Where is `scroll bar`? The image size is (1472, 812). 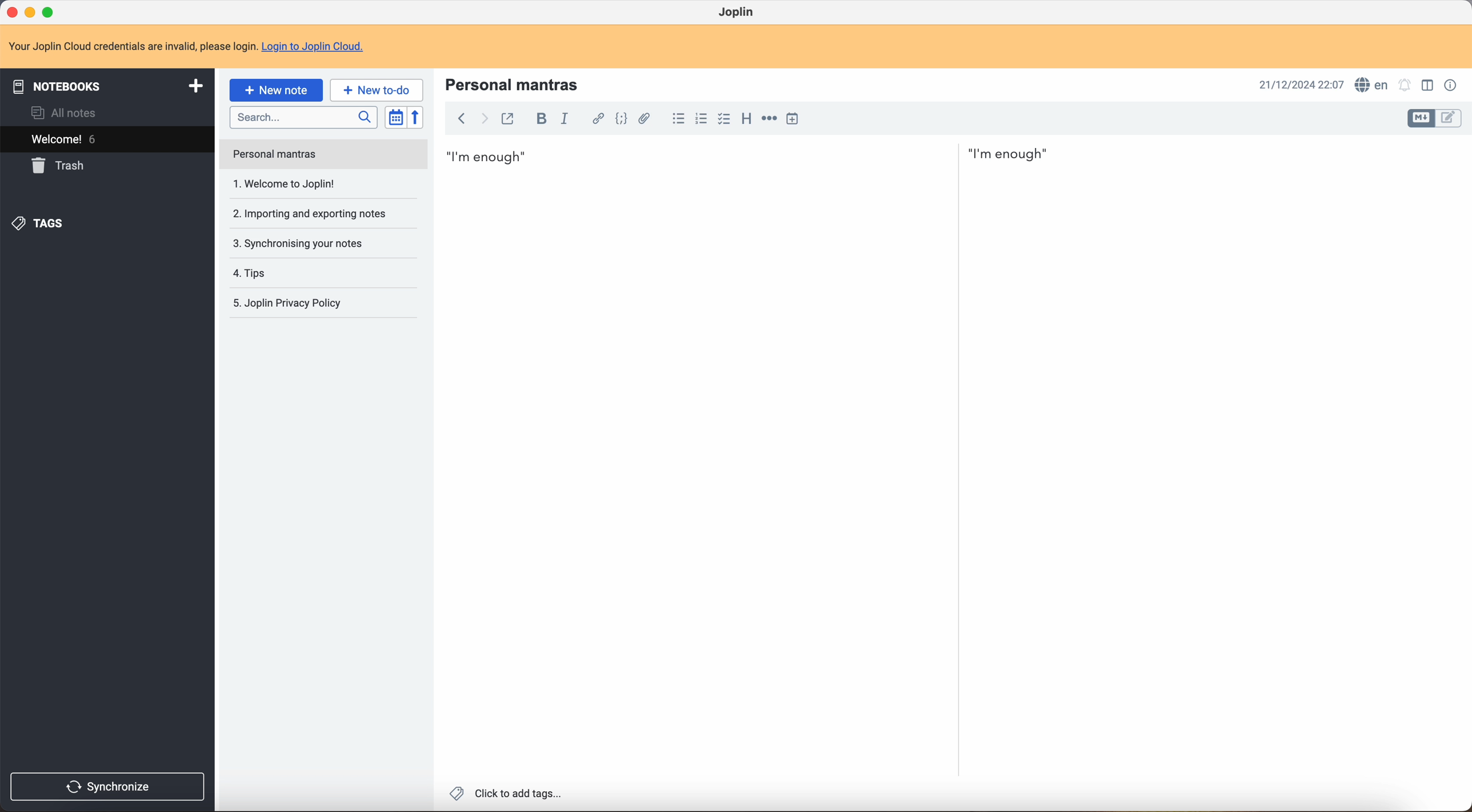 scroll bar is located at coordinates (956, 363).